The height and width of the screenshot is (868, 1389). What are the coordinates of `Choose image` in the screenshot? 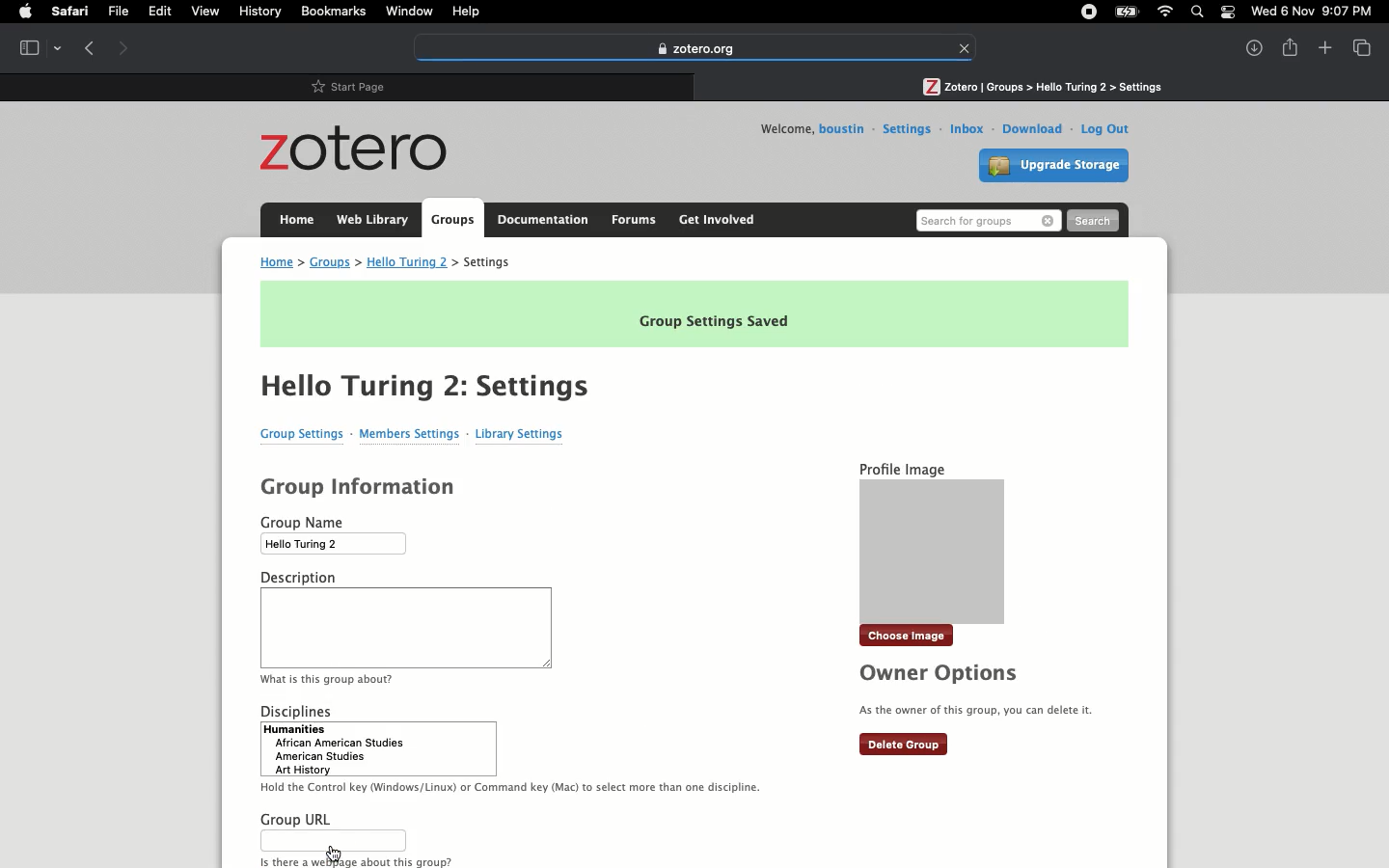 It's located at (909, 637).